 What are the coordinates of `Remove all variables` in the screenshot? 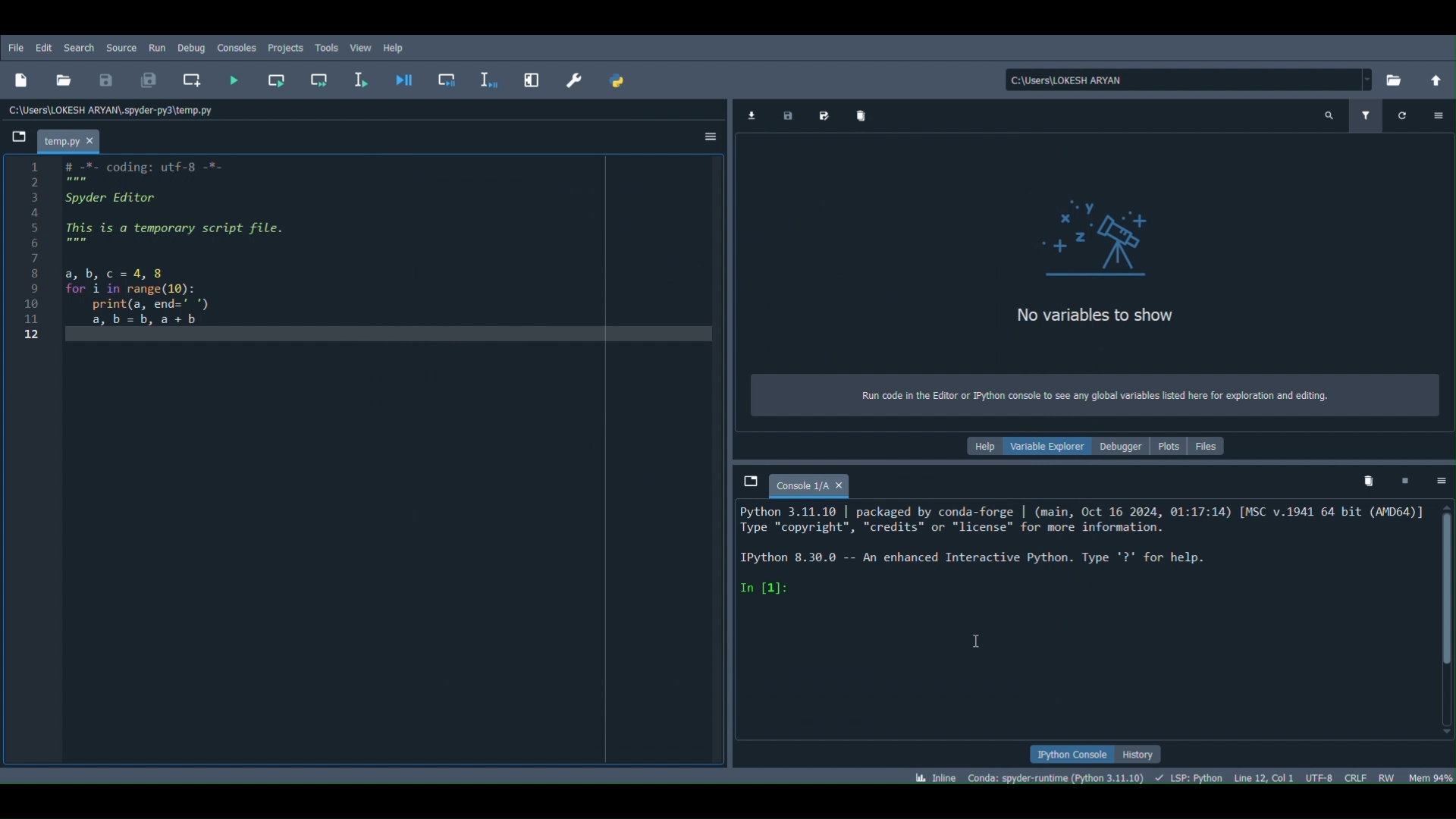 It's located at (1364, 481).